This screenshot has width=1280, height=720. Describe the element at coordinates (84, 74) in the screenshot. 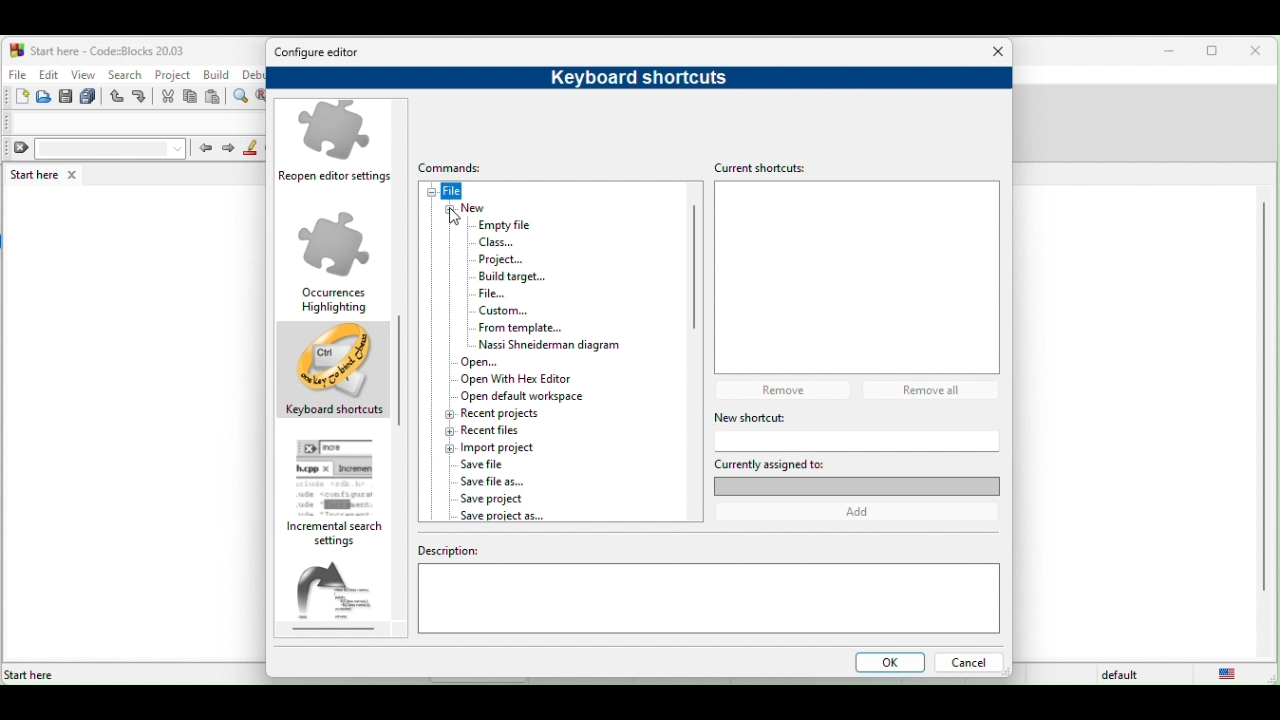

I see `view` at that location.